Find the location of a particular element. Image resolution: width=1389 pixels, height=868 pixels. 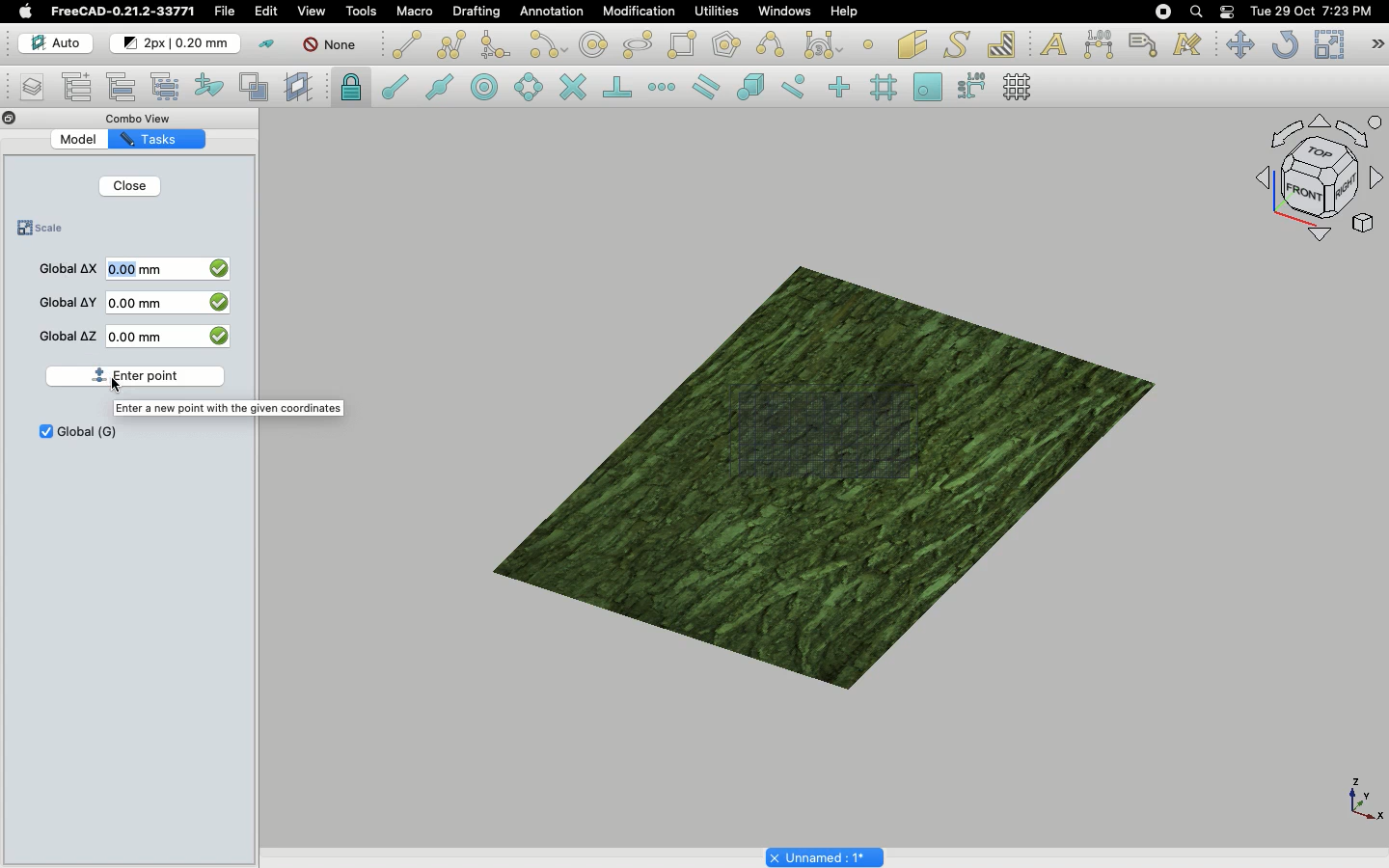

Global Y is located at coordinates (67, 302).